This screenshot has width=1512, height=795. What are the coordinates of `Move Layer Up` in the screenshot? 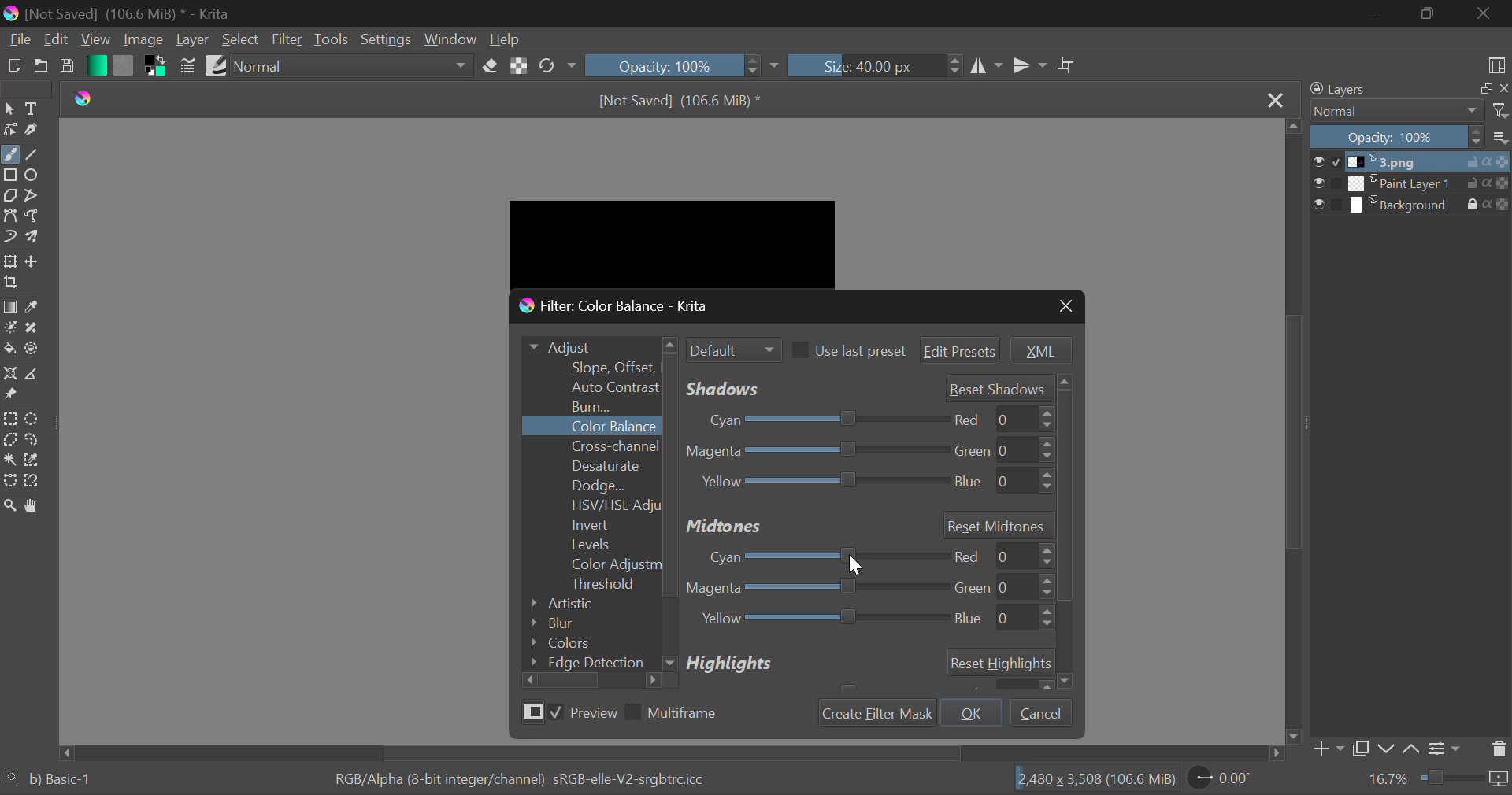 It's located at (1414, 748).